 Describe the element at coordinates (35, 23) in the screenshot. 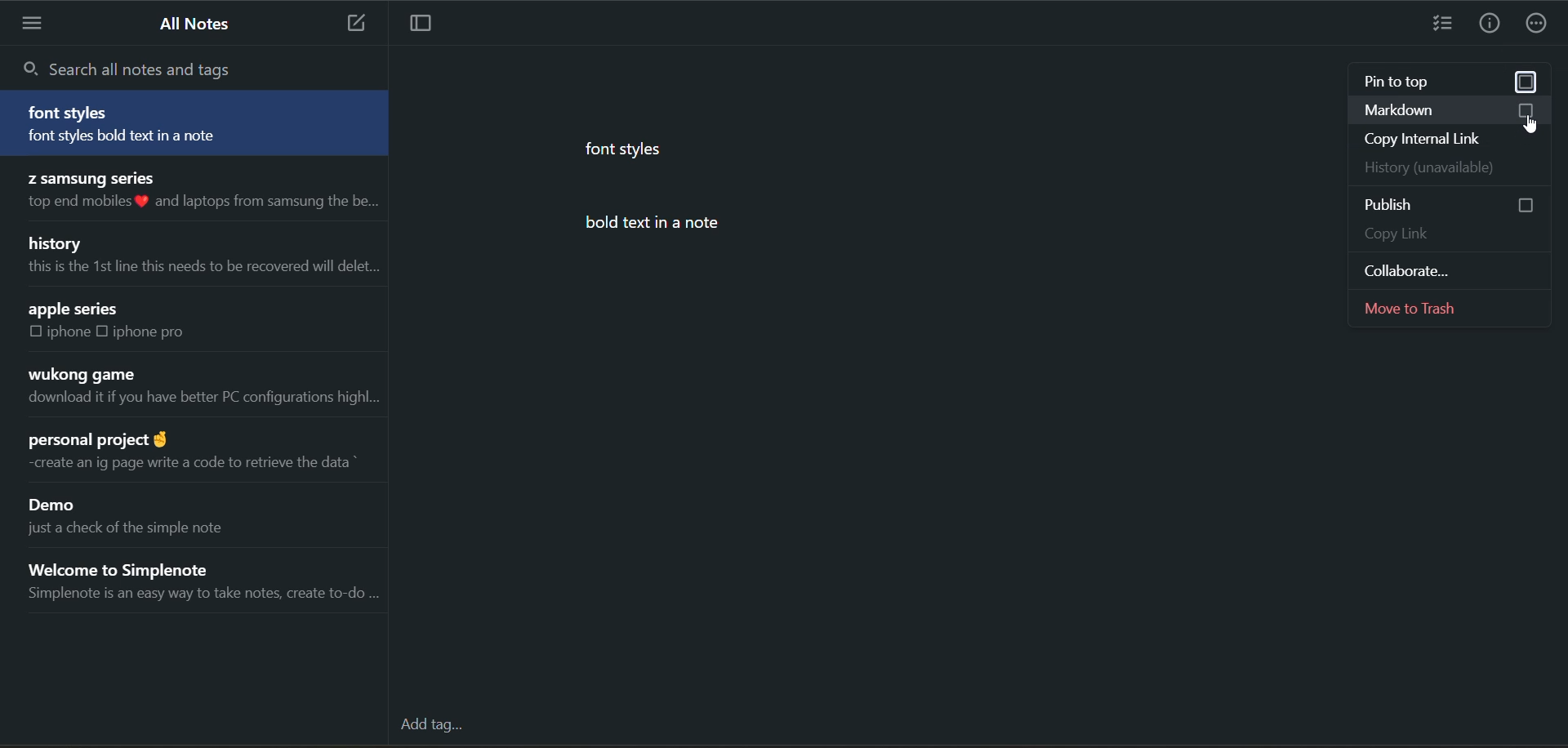

I see `menu` at that location.